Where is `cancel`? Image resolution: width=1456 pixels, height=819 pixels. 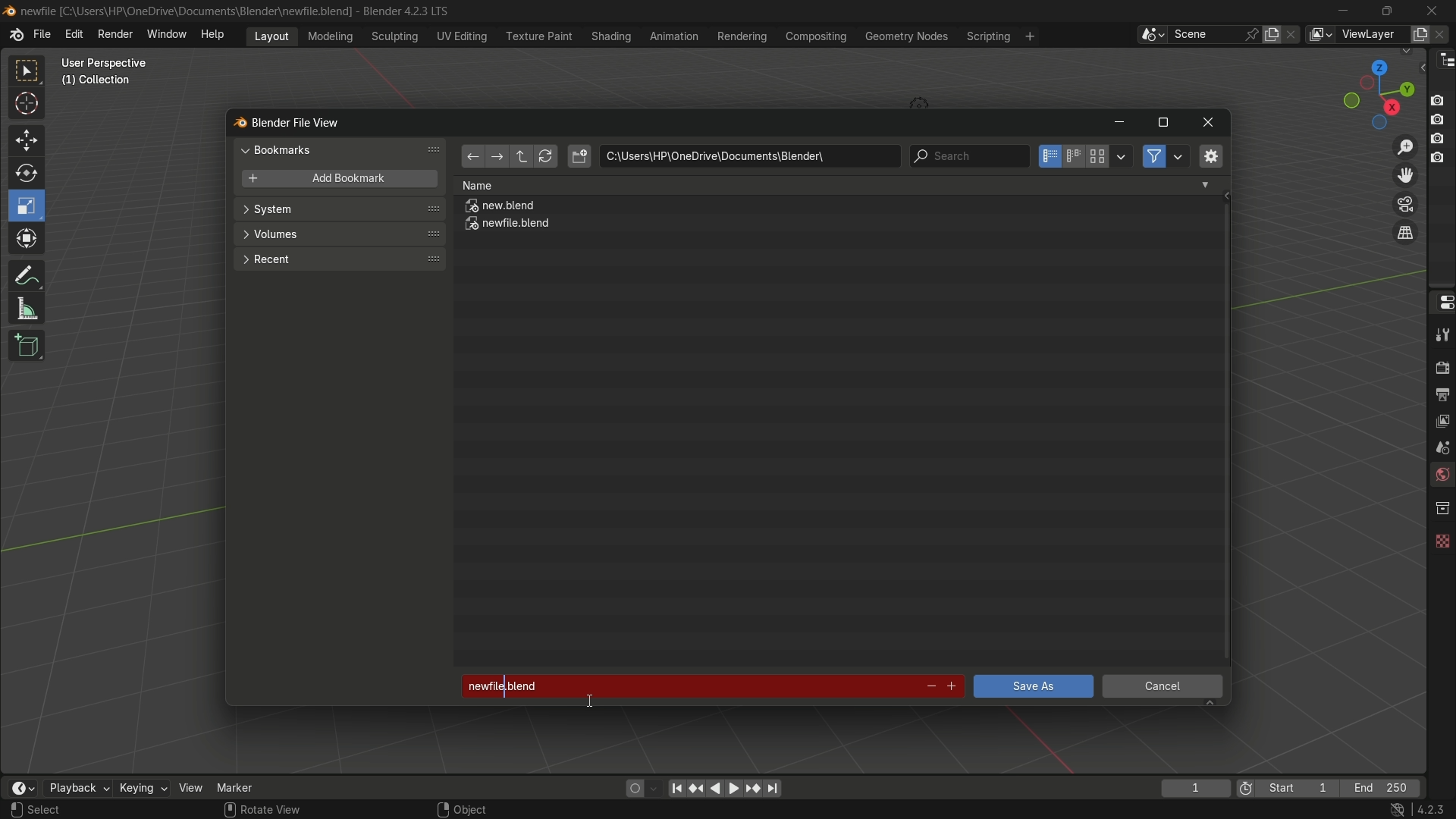
cancel is located at coordinates (1163, 689).